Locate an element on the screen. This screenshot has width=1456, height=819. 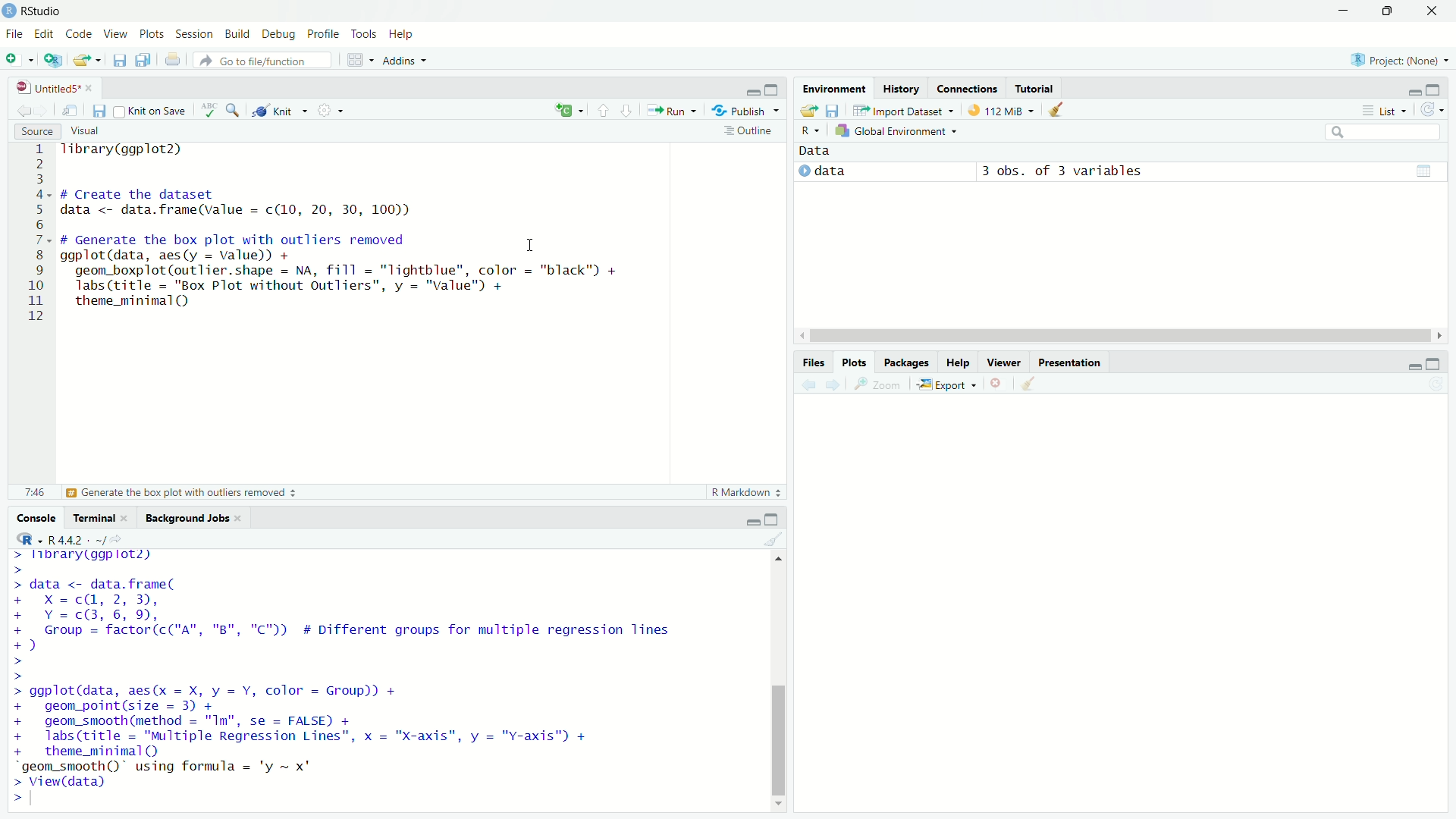
Packages is located at coordinates (904, 362).